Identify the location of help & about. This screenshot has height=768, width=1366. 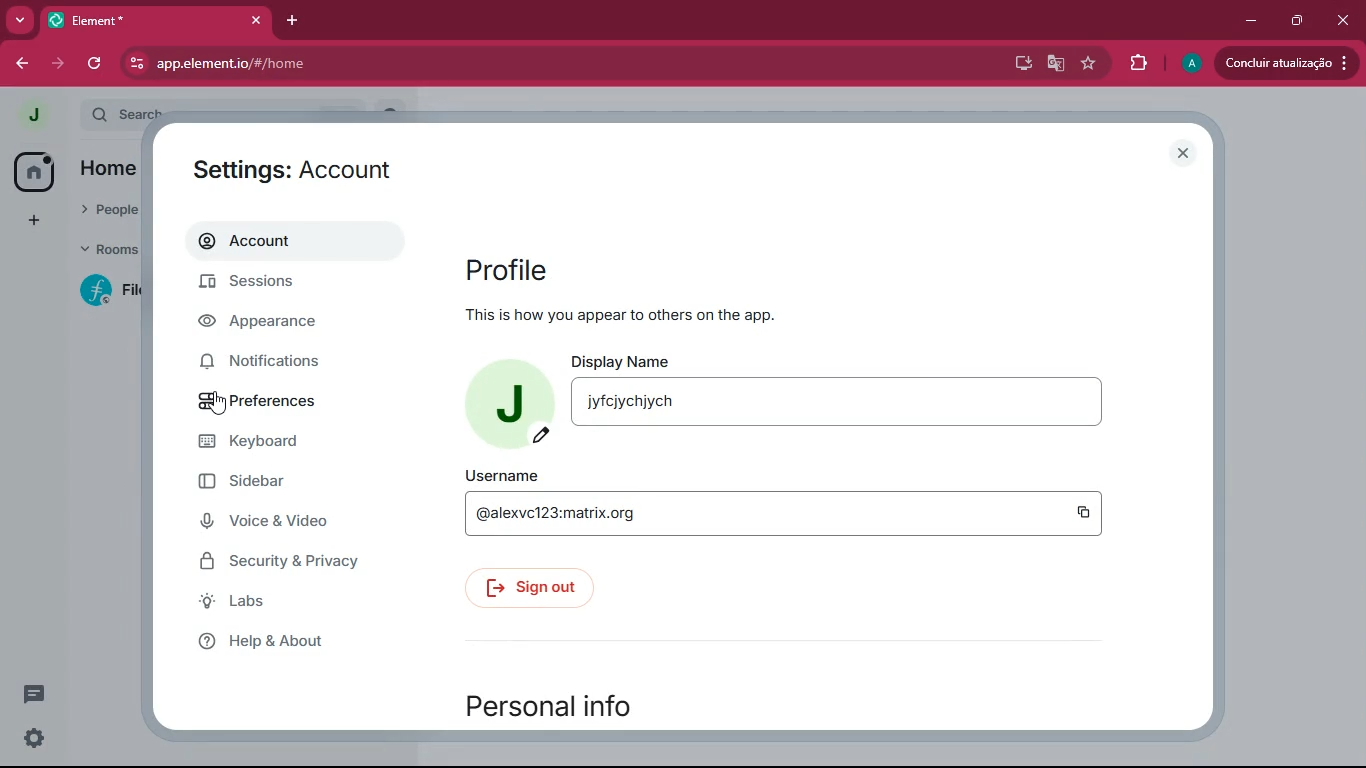
(300, 646).